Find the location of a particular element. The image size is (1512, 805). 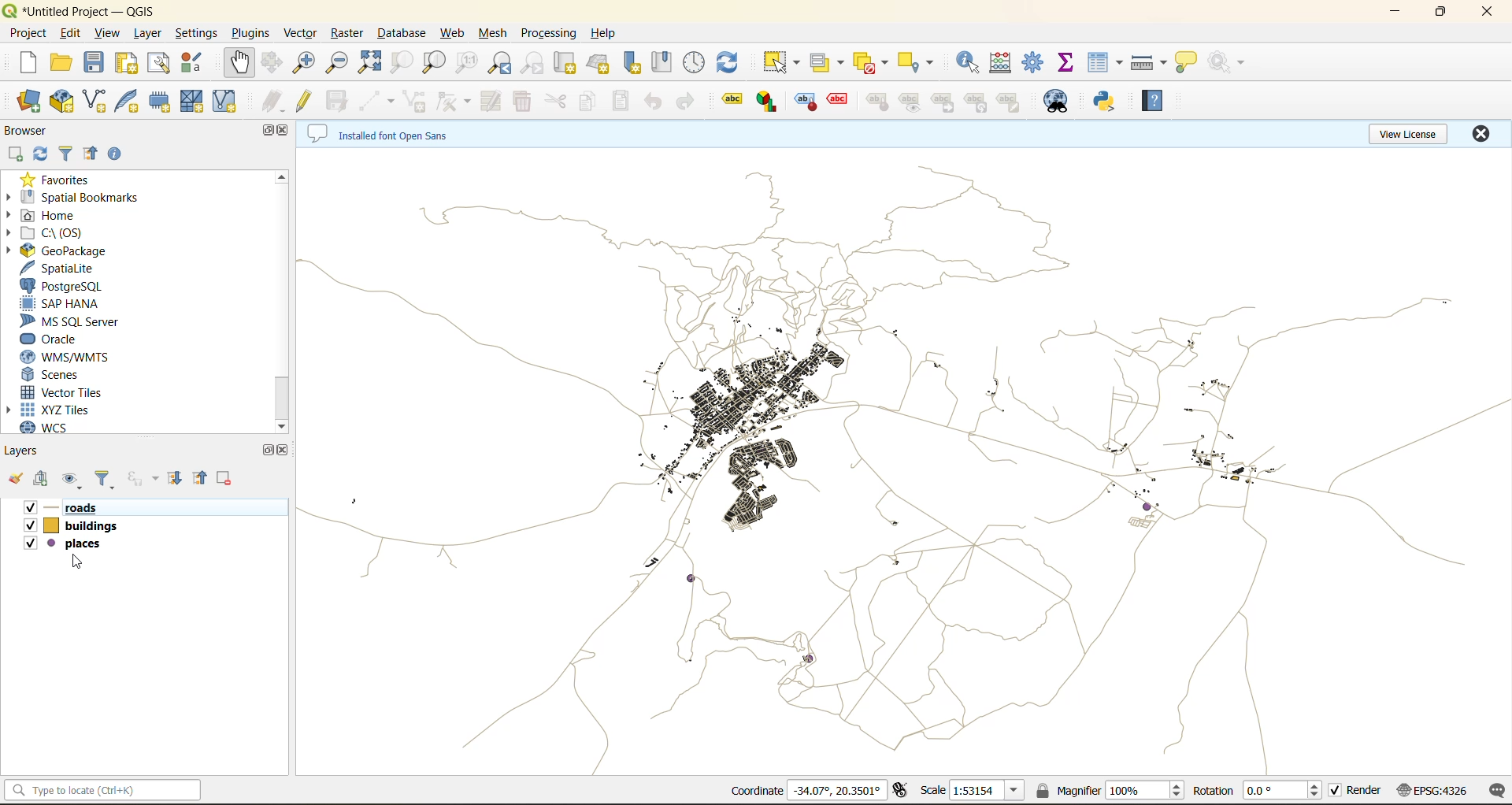

magnifier is located at coordinates (1111, 789).